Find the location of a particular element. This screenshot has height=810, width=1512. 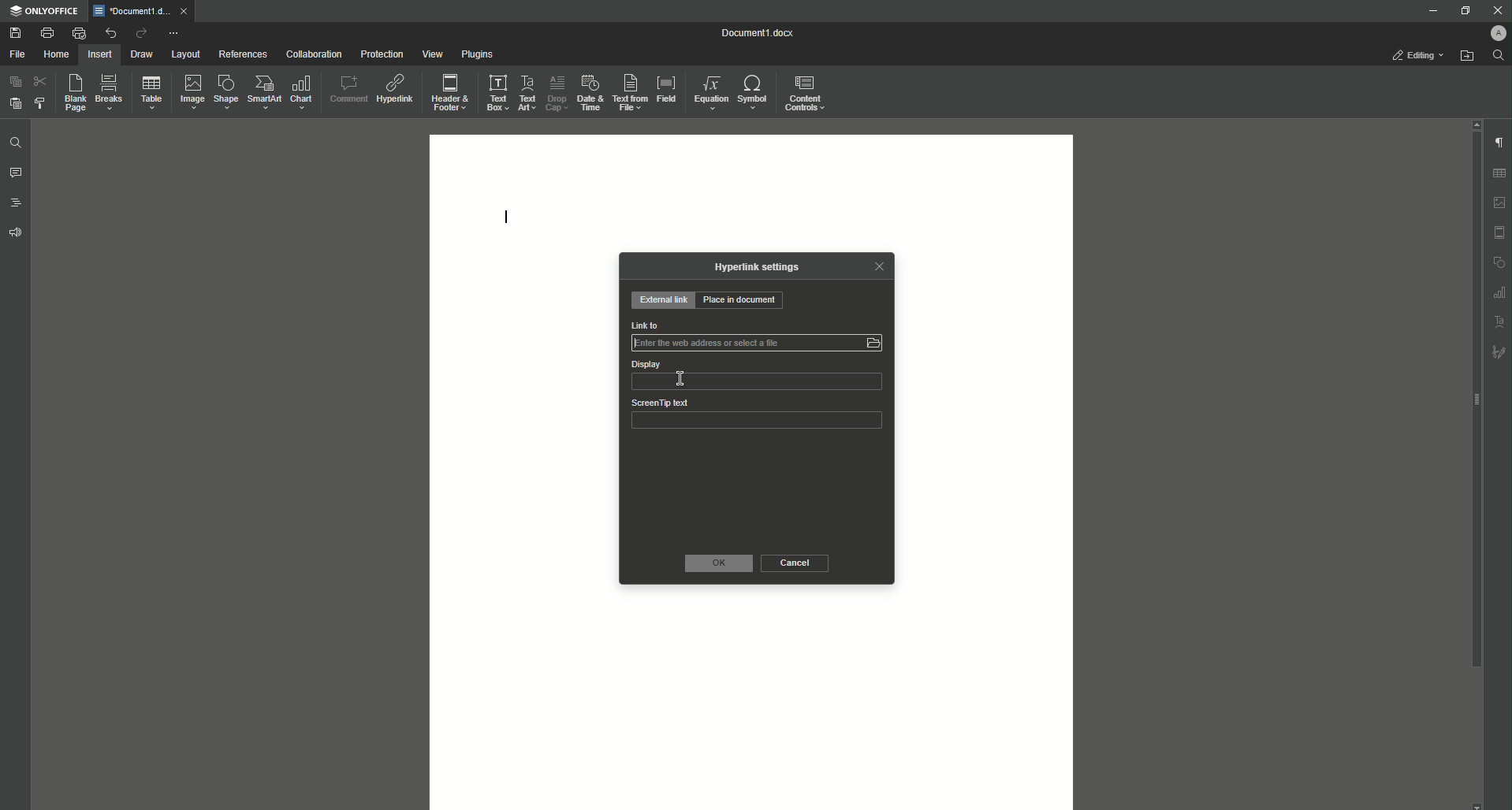

Minimize is located at coordinates (1427, 10).